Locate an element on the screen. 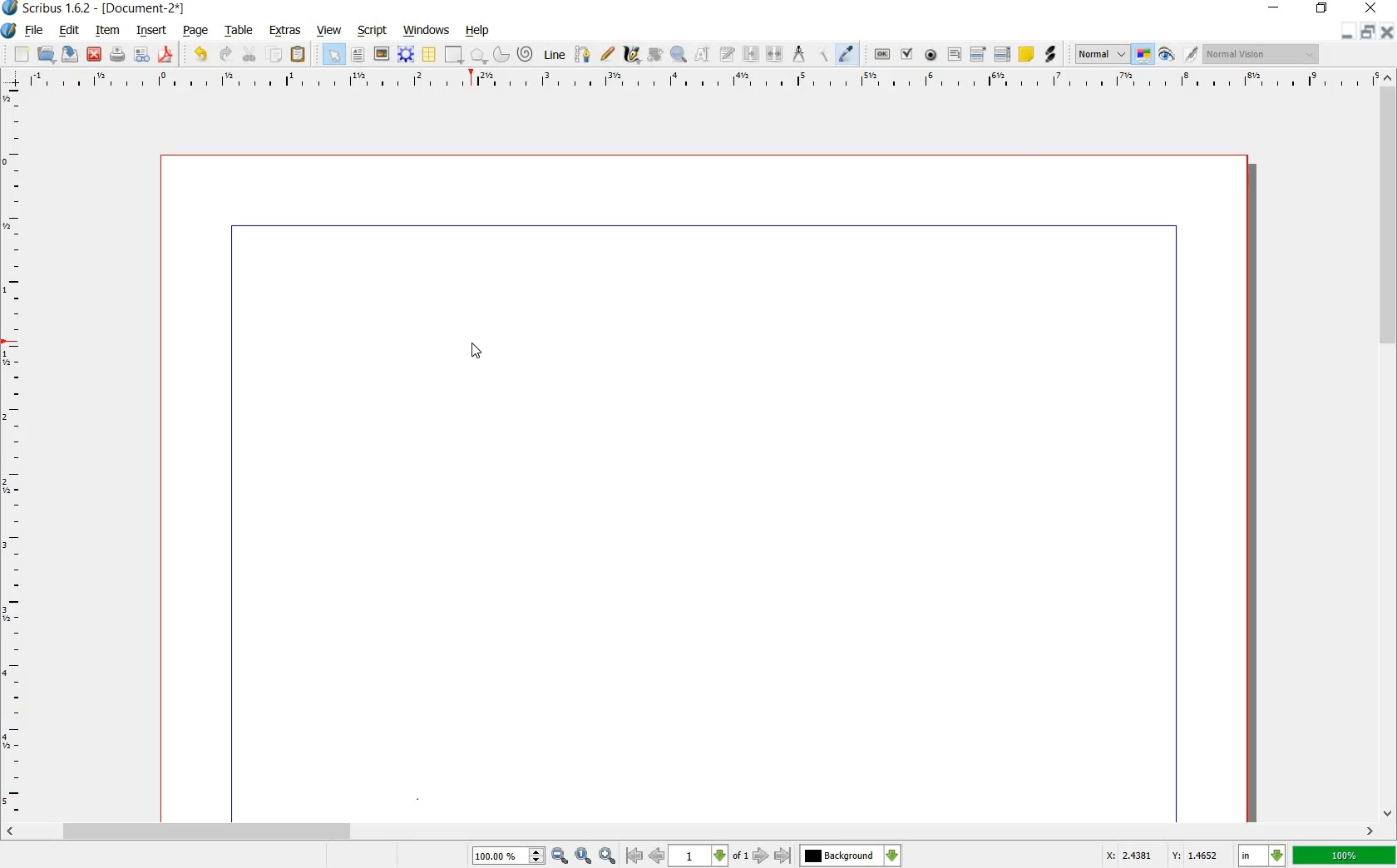 This screenshot has height=868, width=1397. zoom out is located at coordinates (560, 856).